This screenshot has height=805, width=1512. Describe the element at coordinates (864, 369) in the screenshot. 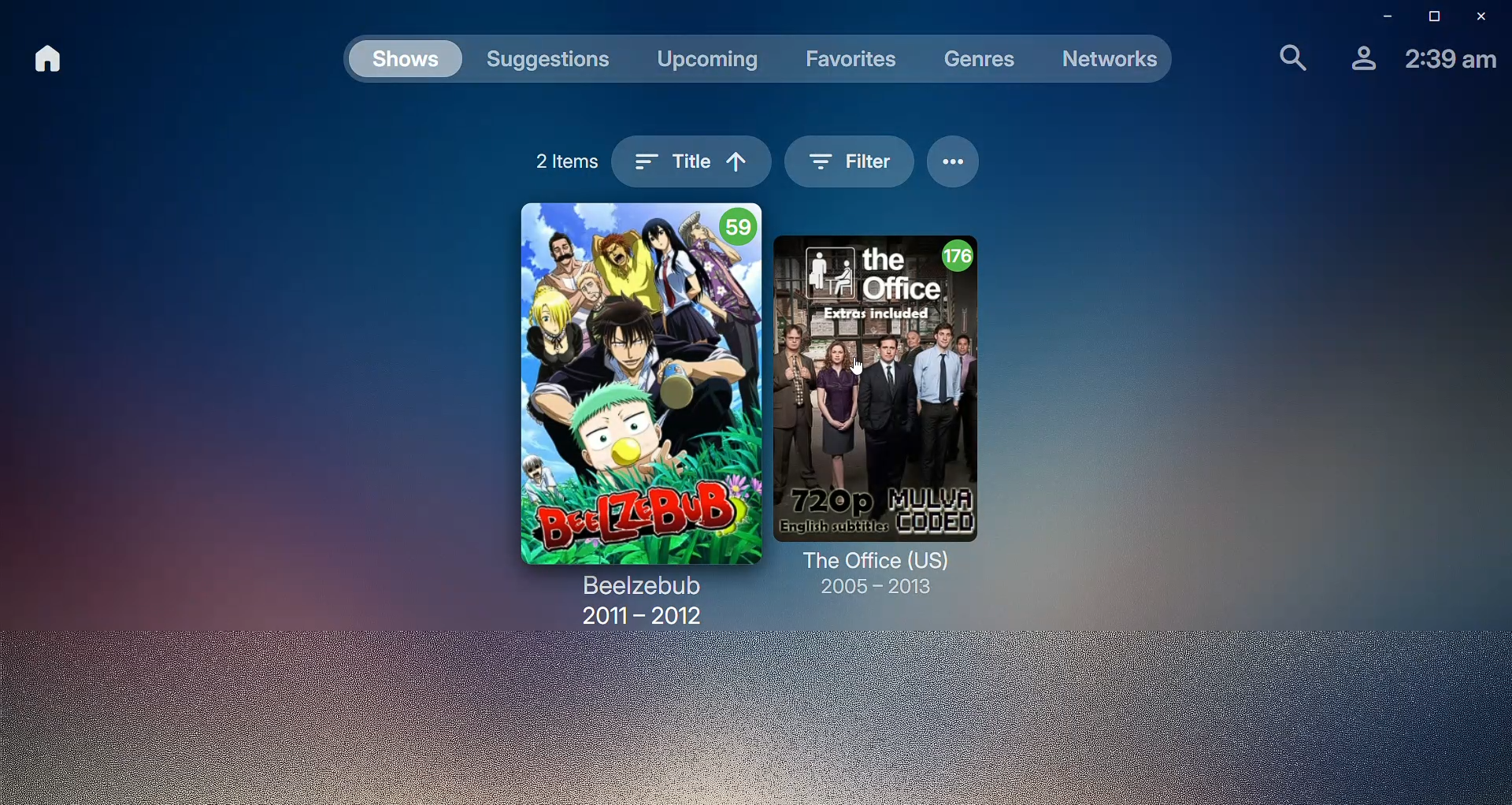

I see `cursor` at that location.